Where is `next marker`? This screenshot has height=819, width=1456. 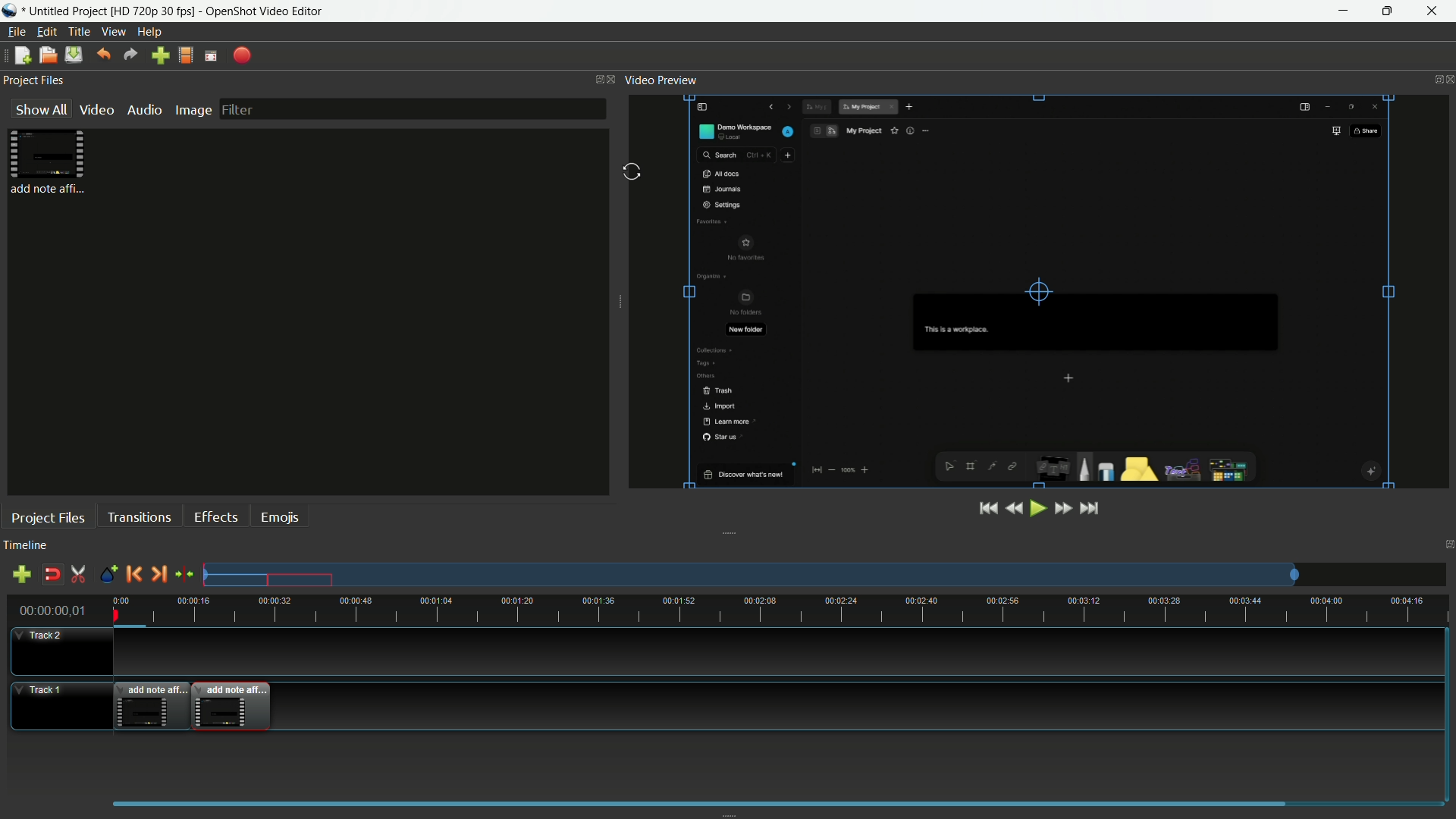 next marker is located at coordinates (157, 573).